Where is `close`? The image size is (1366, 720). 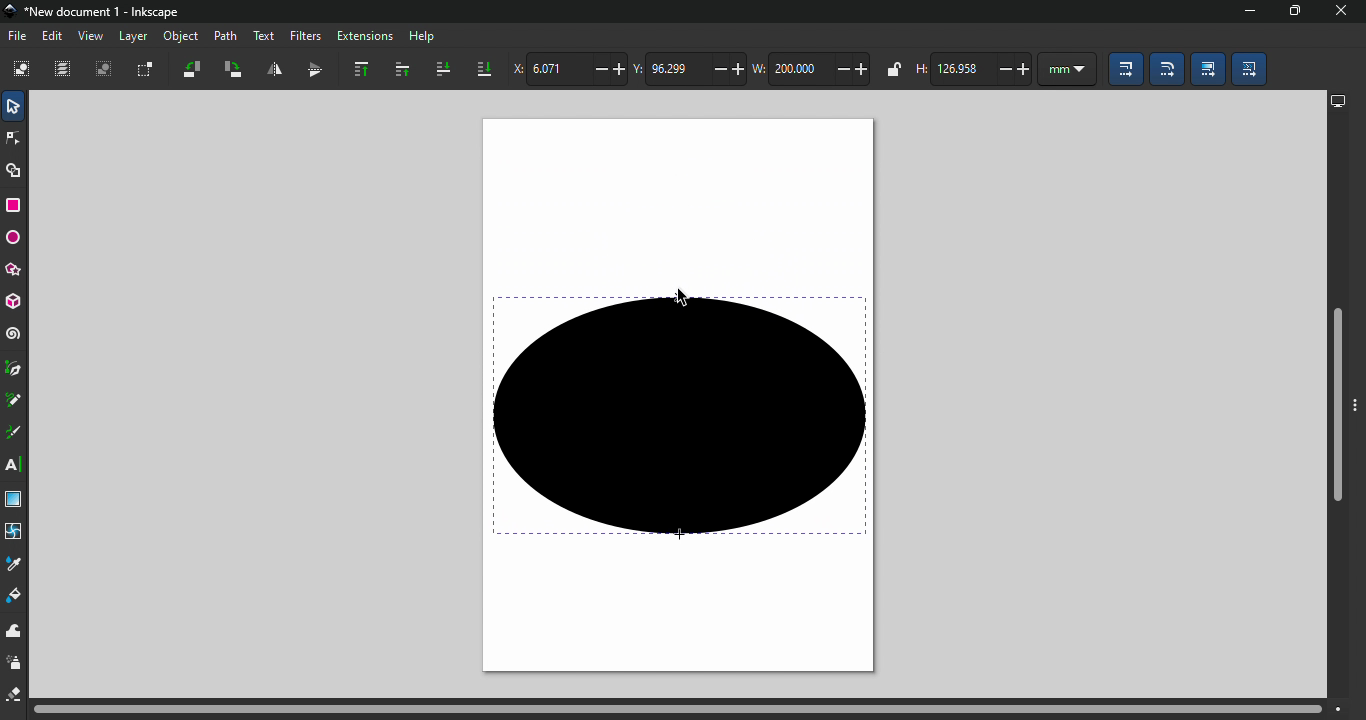 close is located at coordinates (1344, 13).